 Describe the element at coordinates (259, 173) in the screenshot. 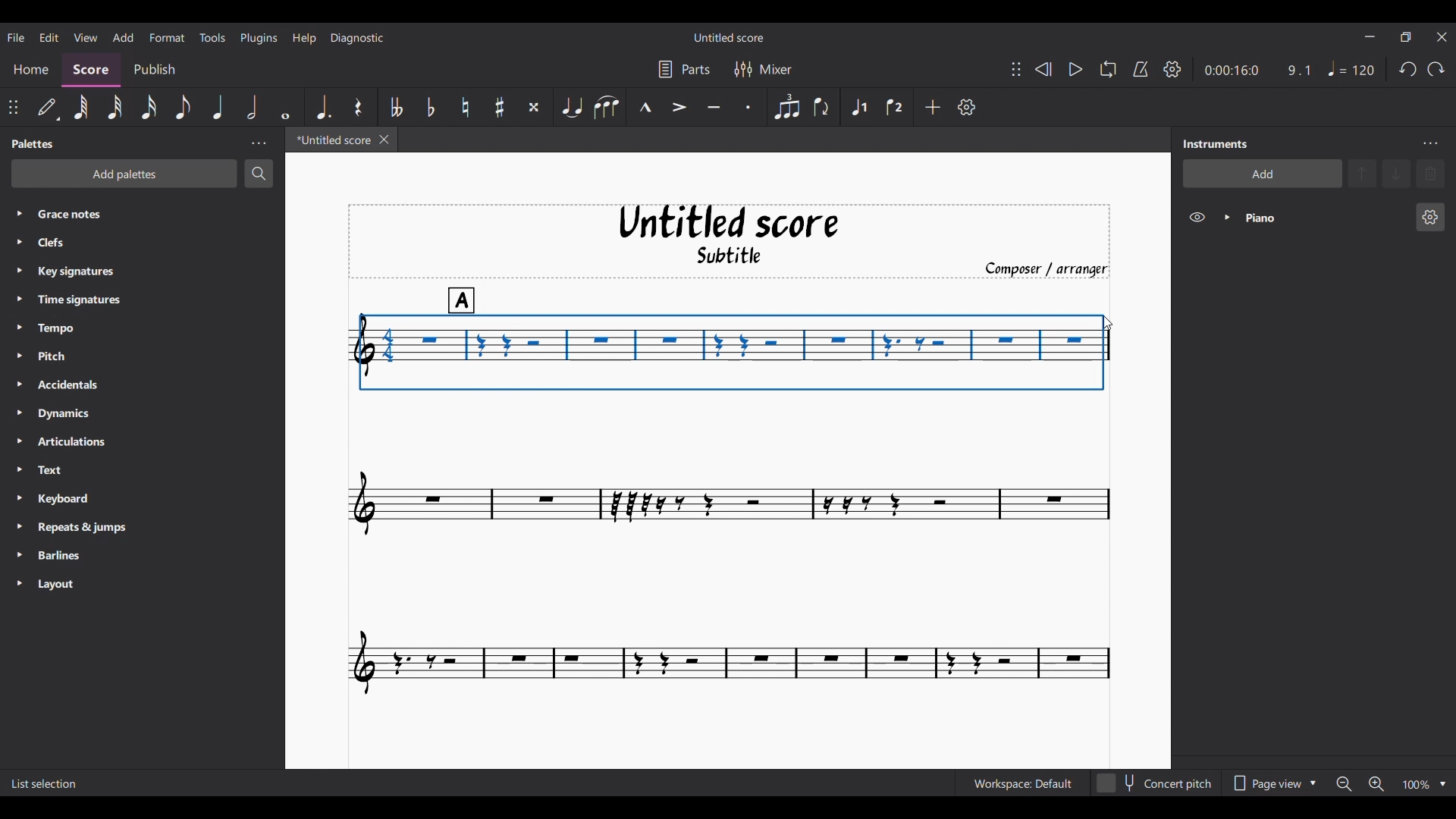

I see `Search` at that location.